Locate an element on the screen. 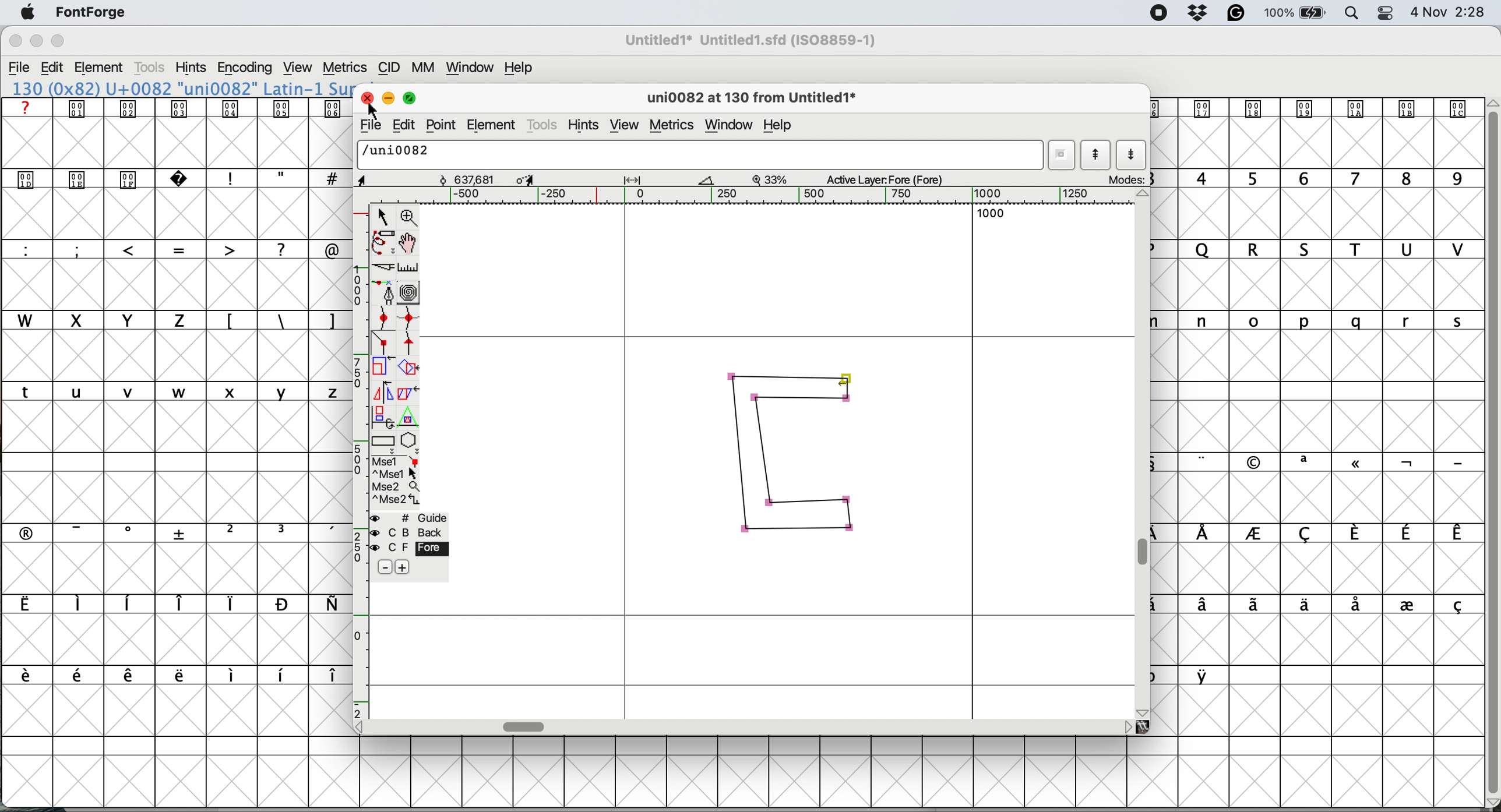  fontforge is located at coordinates (92, 12).